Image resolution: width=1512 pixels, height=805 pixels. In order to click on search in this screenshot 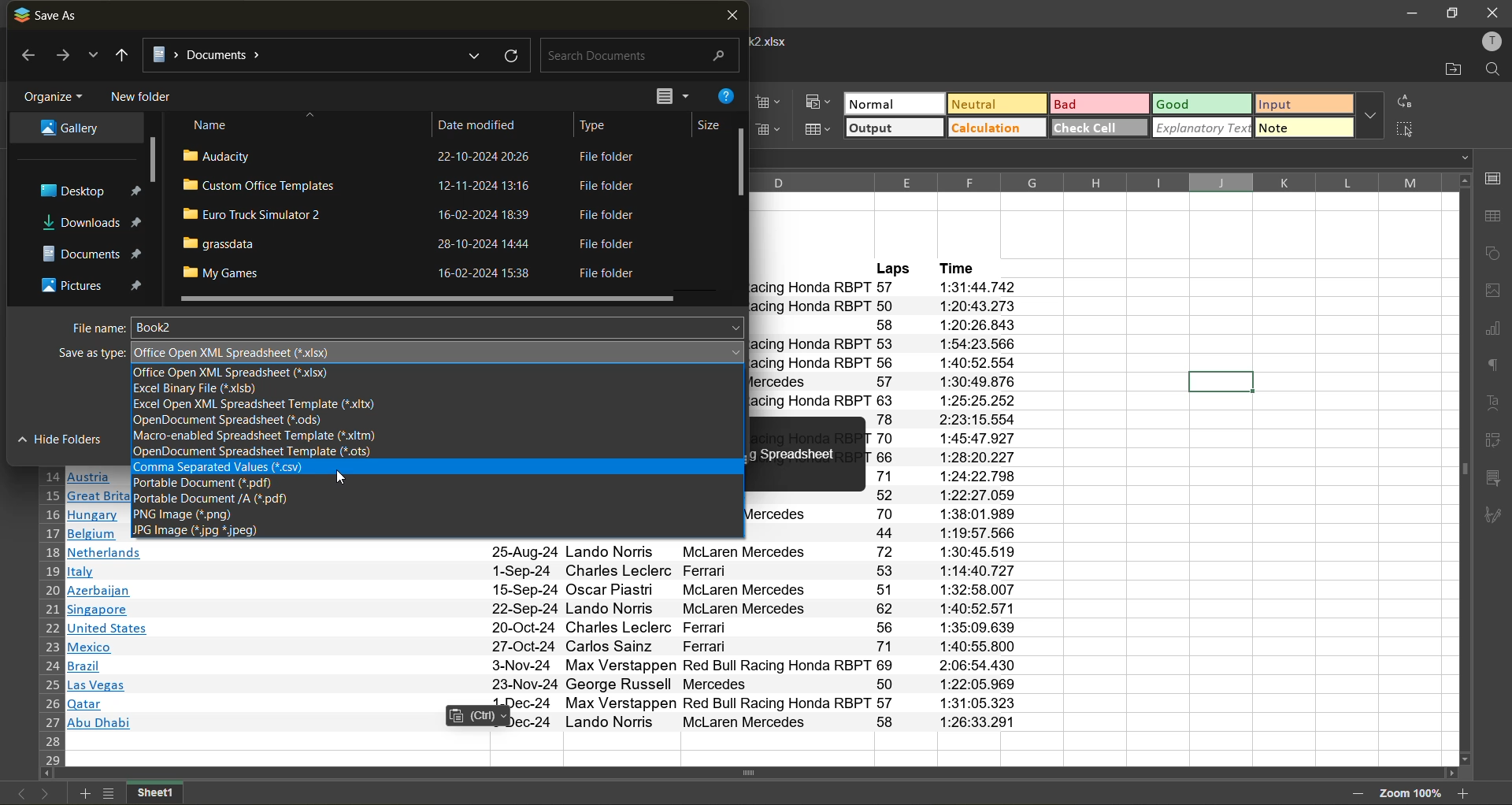, I will do `click(636, 57)`.